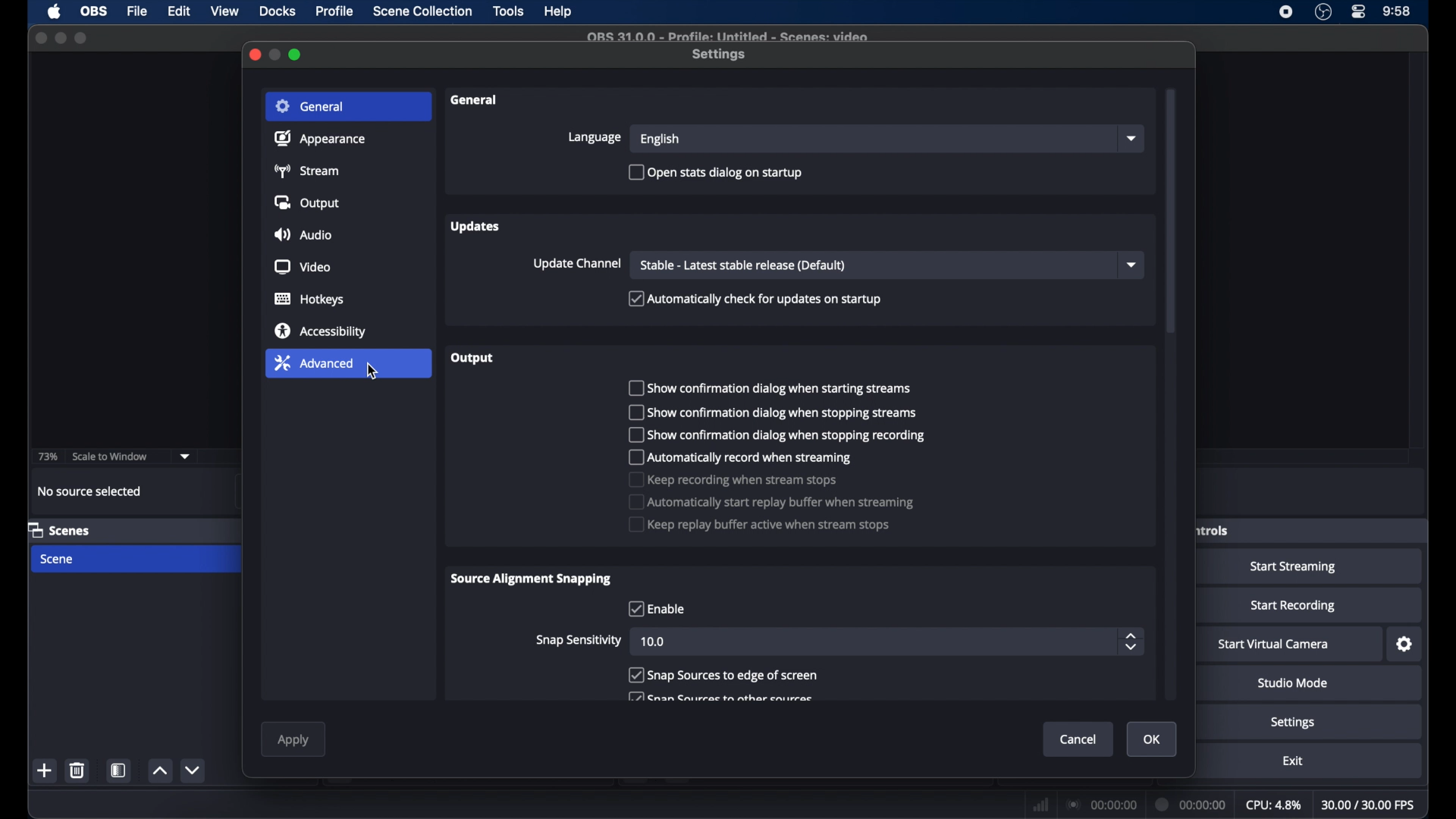 The width and height of the screenshot is (1456, 819). I want to click on help, so click(559, 12).